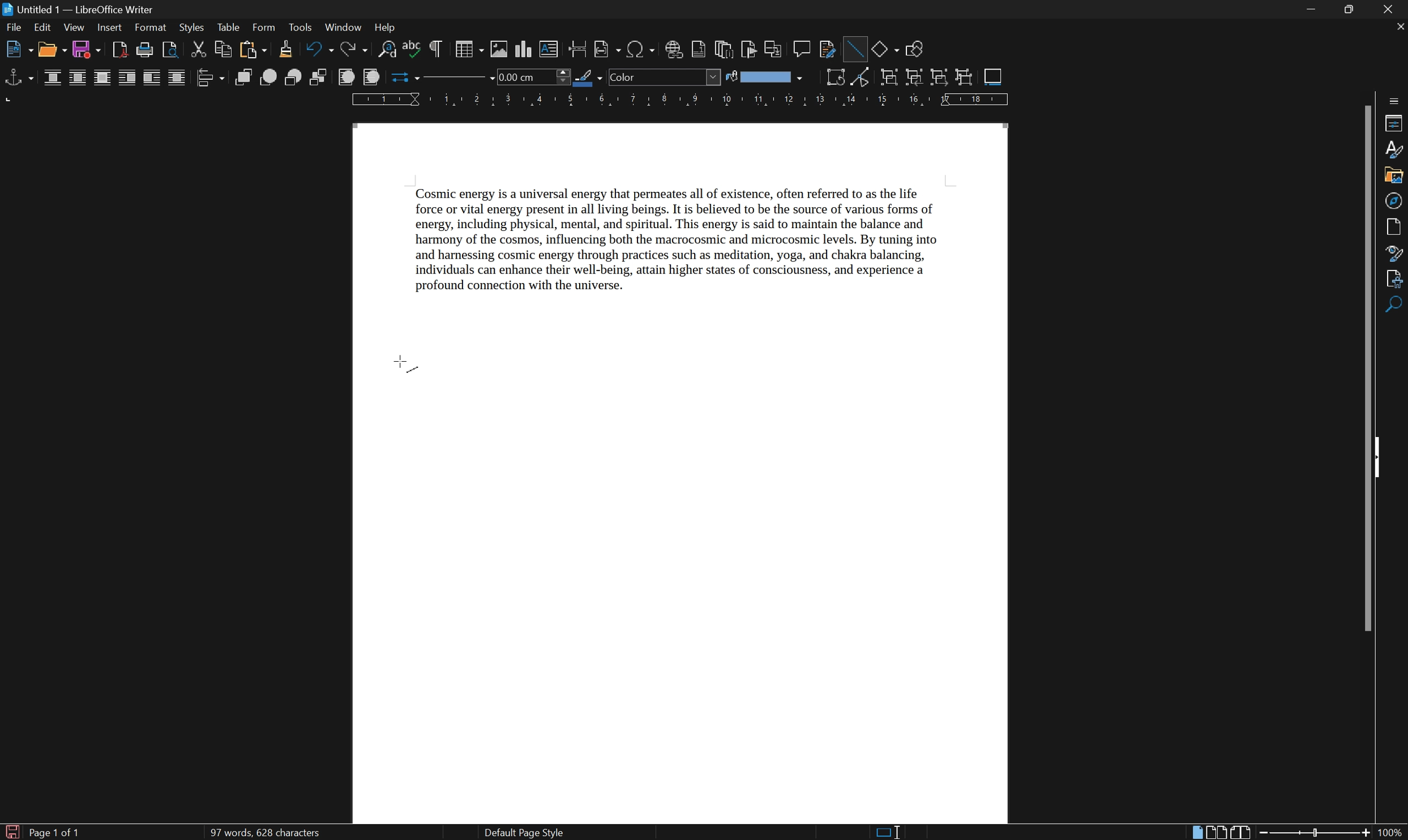  What do you see at coordinates (88, 50) in the screenshot?
I see `save` at bounding box center [88, 50].